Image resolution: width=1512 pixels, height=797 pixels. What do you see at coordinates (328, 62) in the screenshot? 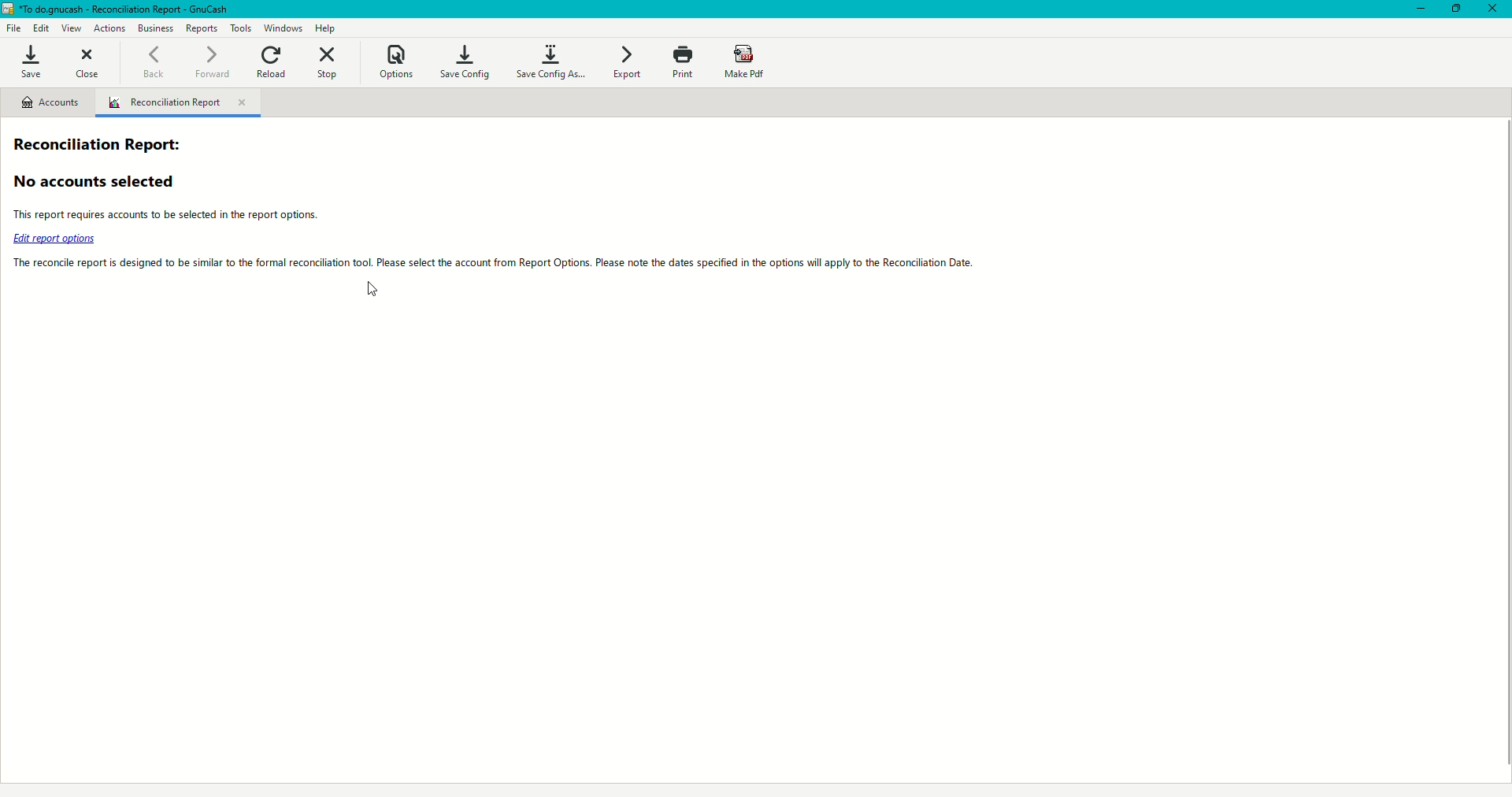
I see `Stop` at bounding box center [328, 62].